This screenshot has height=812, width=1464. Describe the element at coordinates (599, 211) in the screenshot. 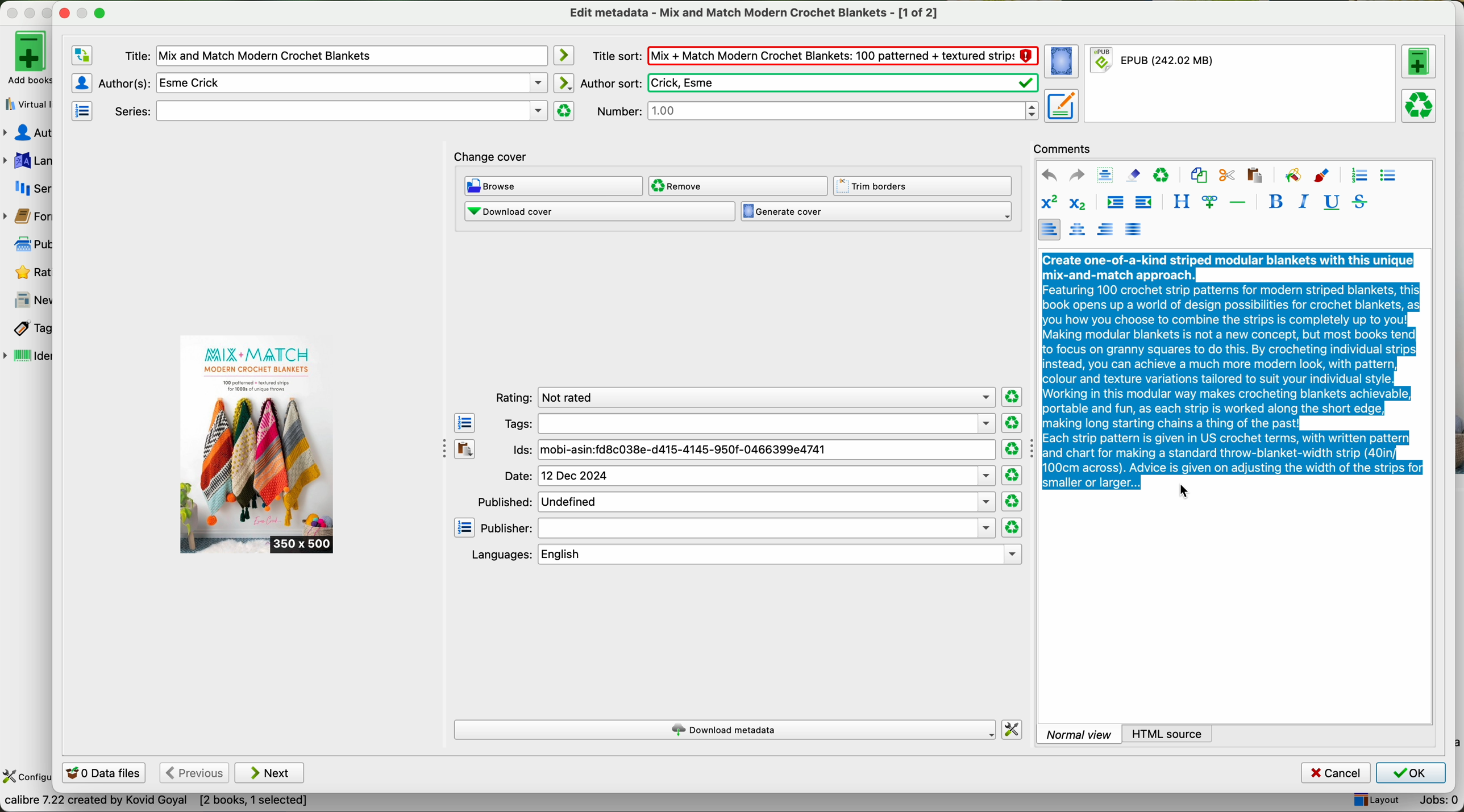

I see `download cover` at that location.